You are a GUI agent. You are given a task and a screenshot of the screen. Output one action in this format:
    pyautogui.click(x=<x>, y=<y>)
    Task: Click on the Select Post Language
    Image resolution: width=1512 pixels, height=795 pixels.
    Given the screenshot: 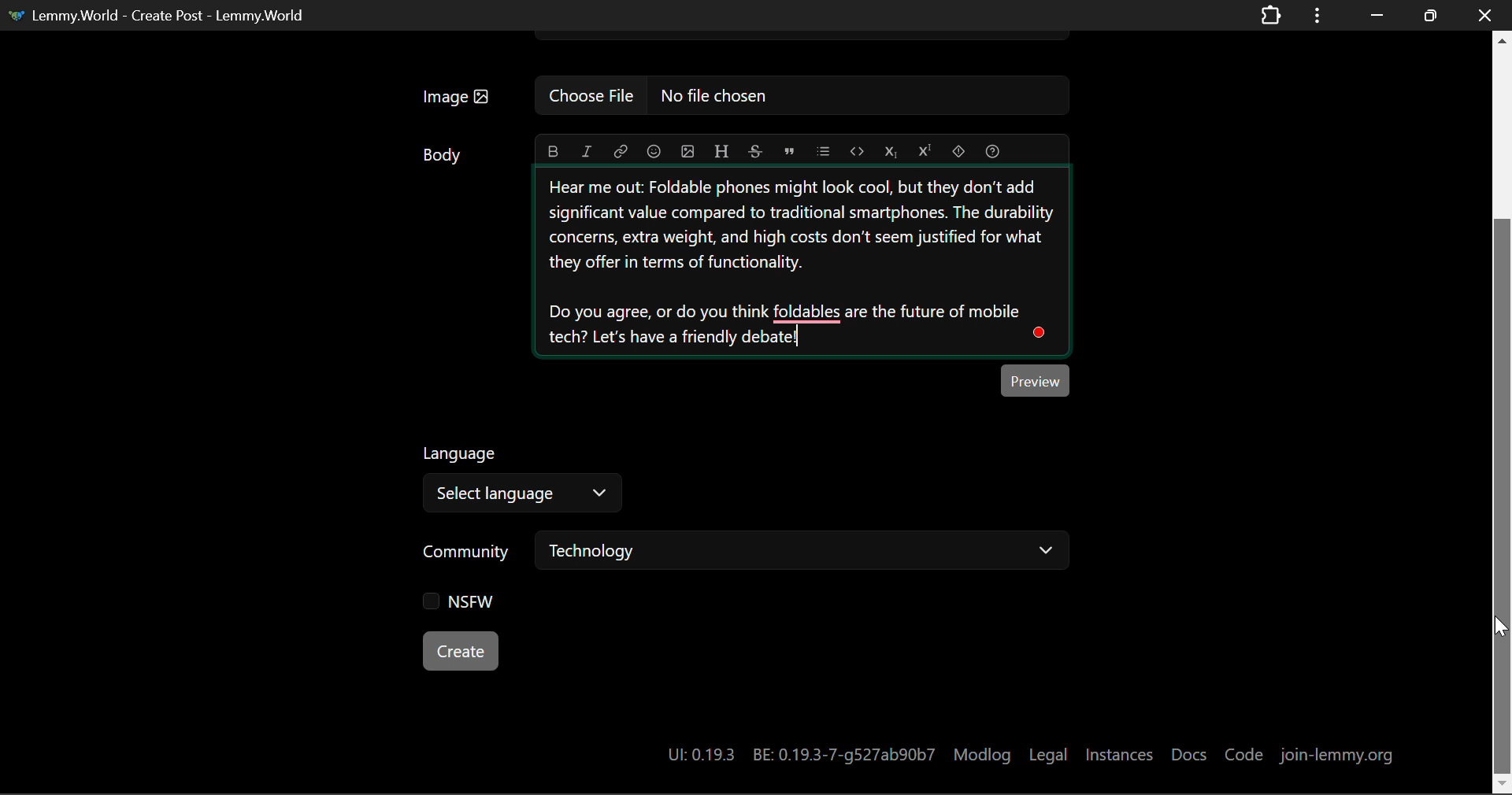 What is the action you would take?
    pyautogui.click(x=520, y=481)
    